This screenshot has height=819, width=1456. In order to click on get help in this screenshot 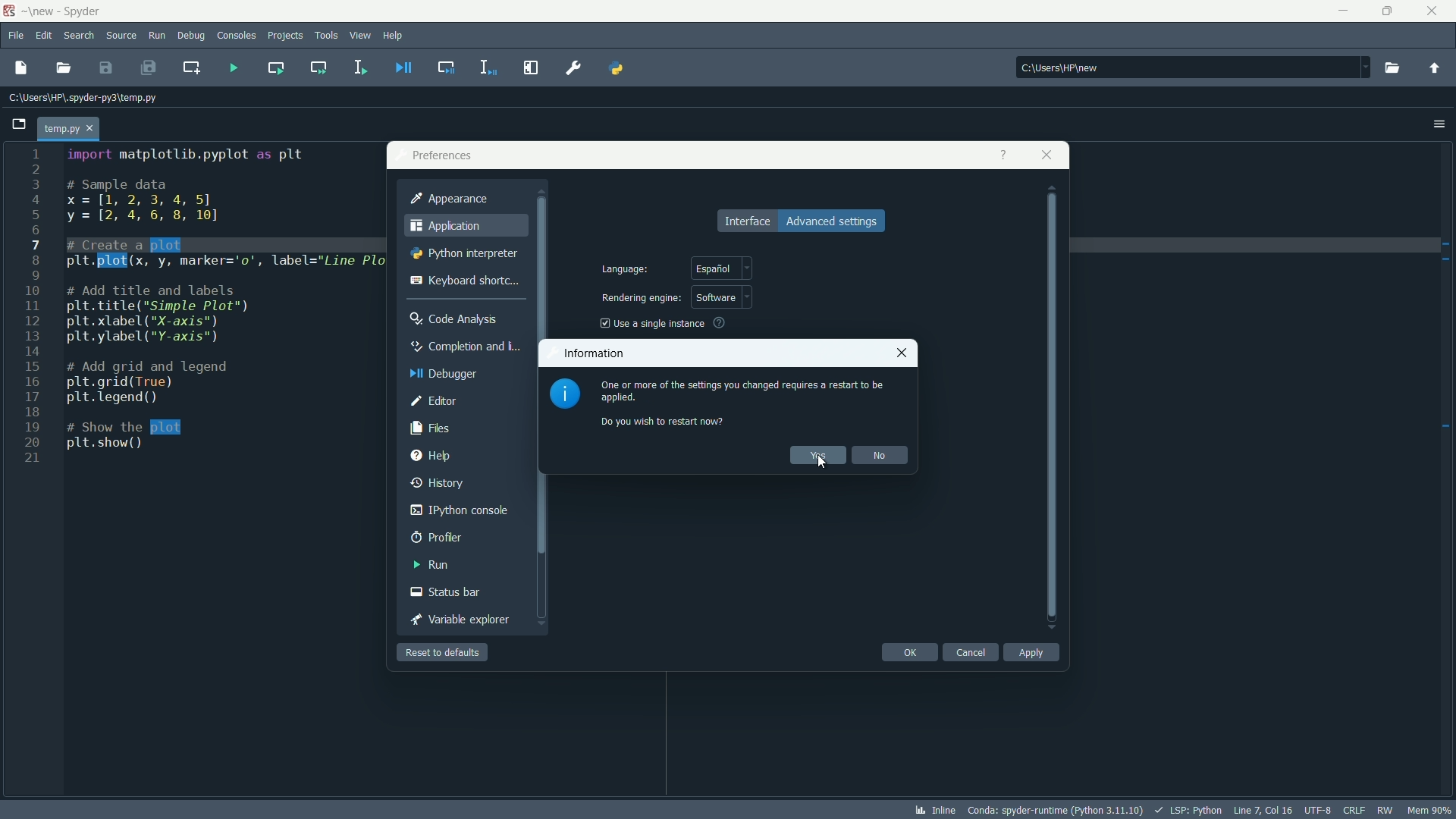, I will do `click(1002, 155)`.